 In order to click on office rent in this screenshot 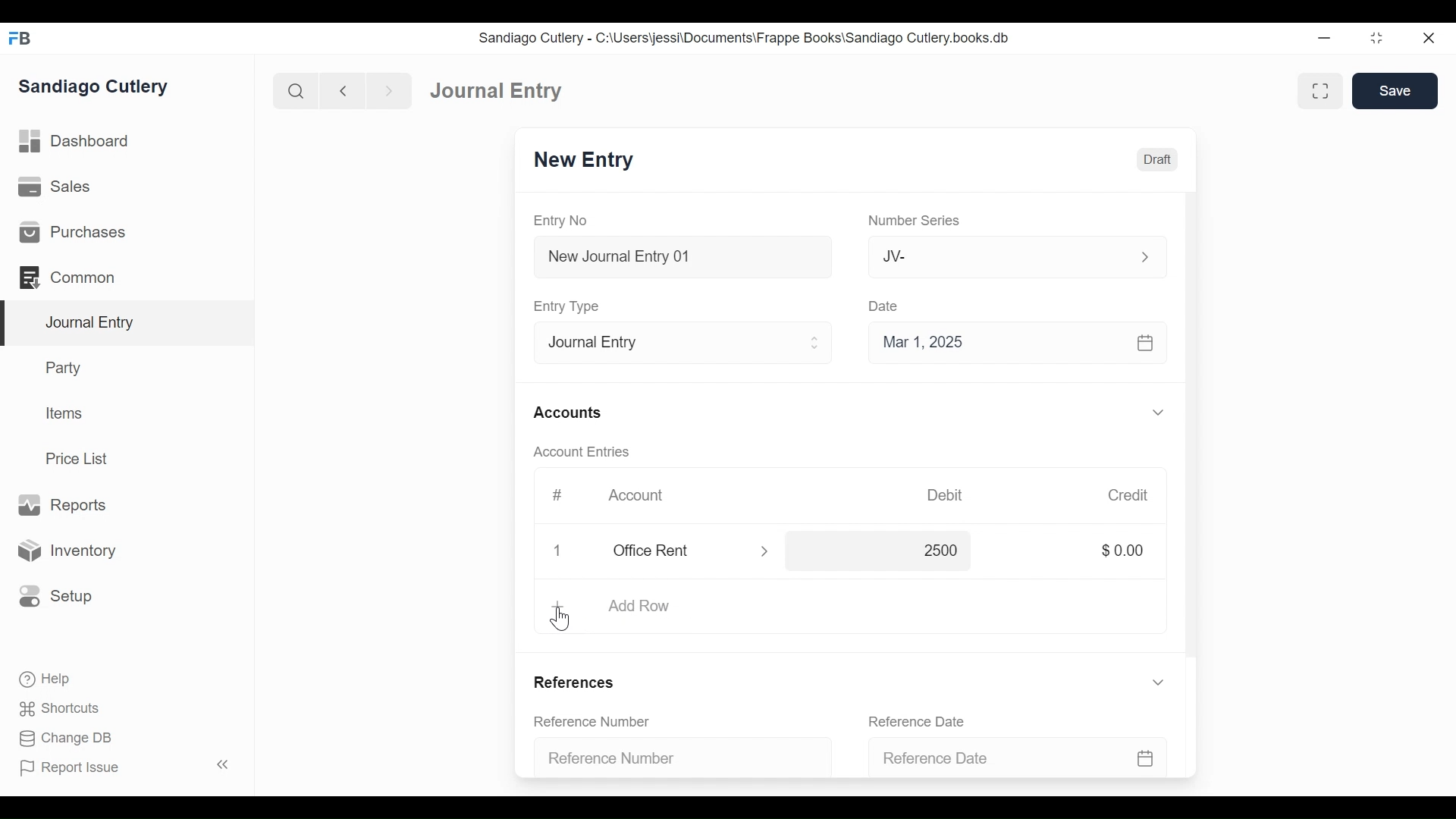, I will do `click(689, 551)`.